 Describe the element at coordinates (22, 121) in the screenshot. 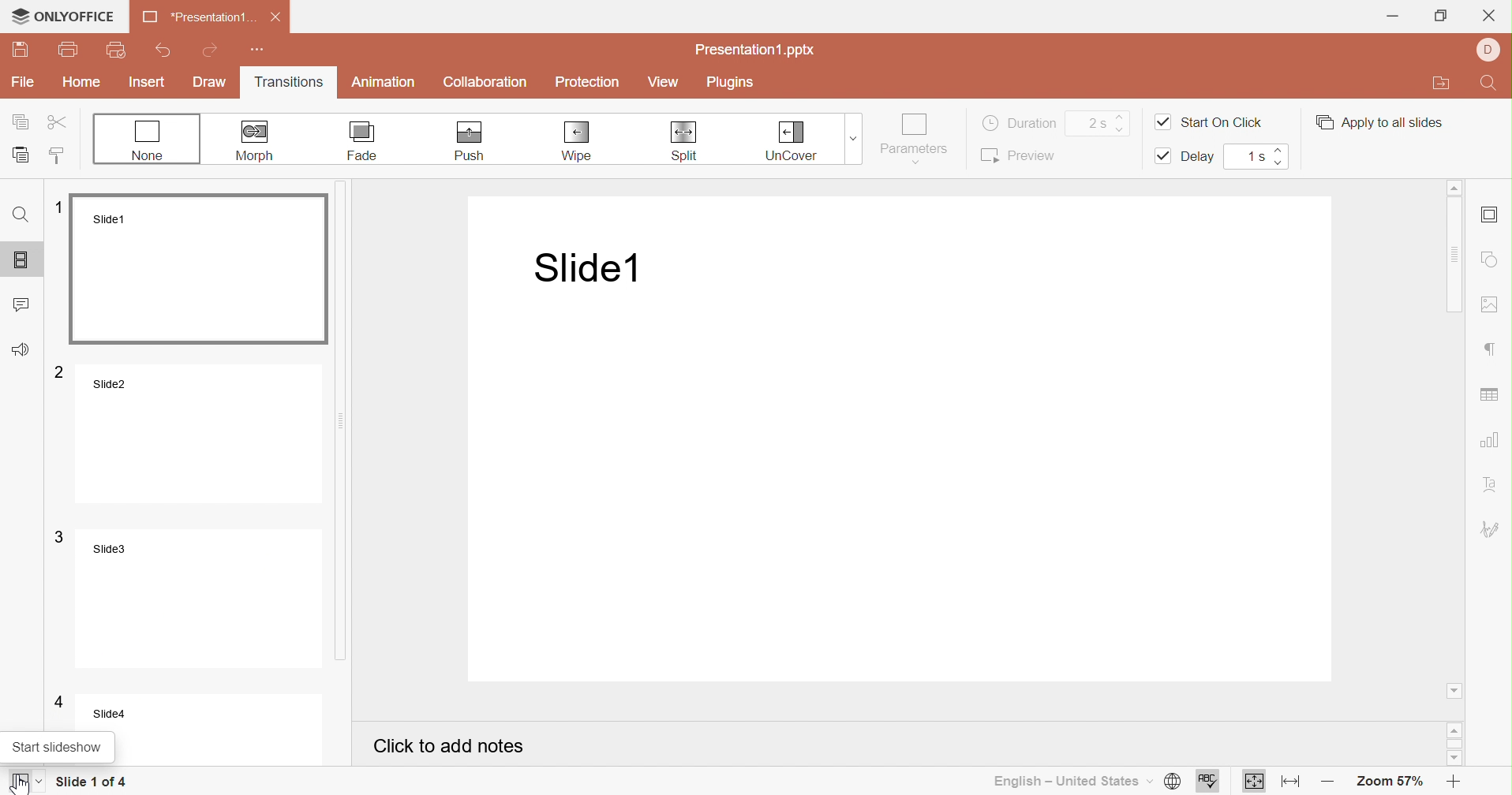

I see `Copy` at that location.